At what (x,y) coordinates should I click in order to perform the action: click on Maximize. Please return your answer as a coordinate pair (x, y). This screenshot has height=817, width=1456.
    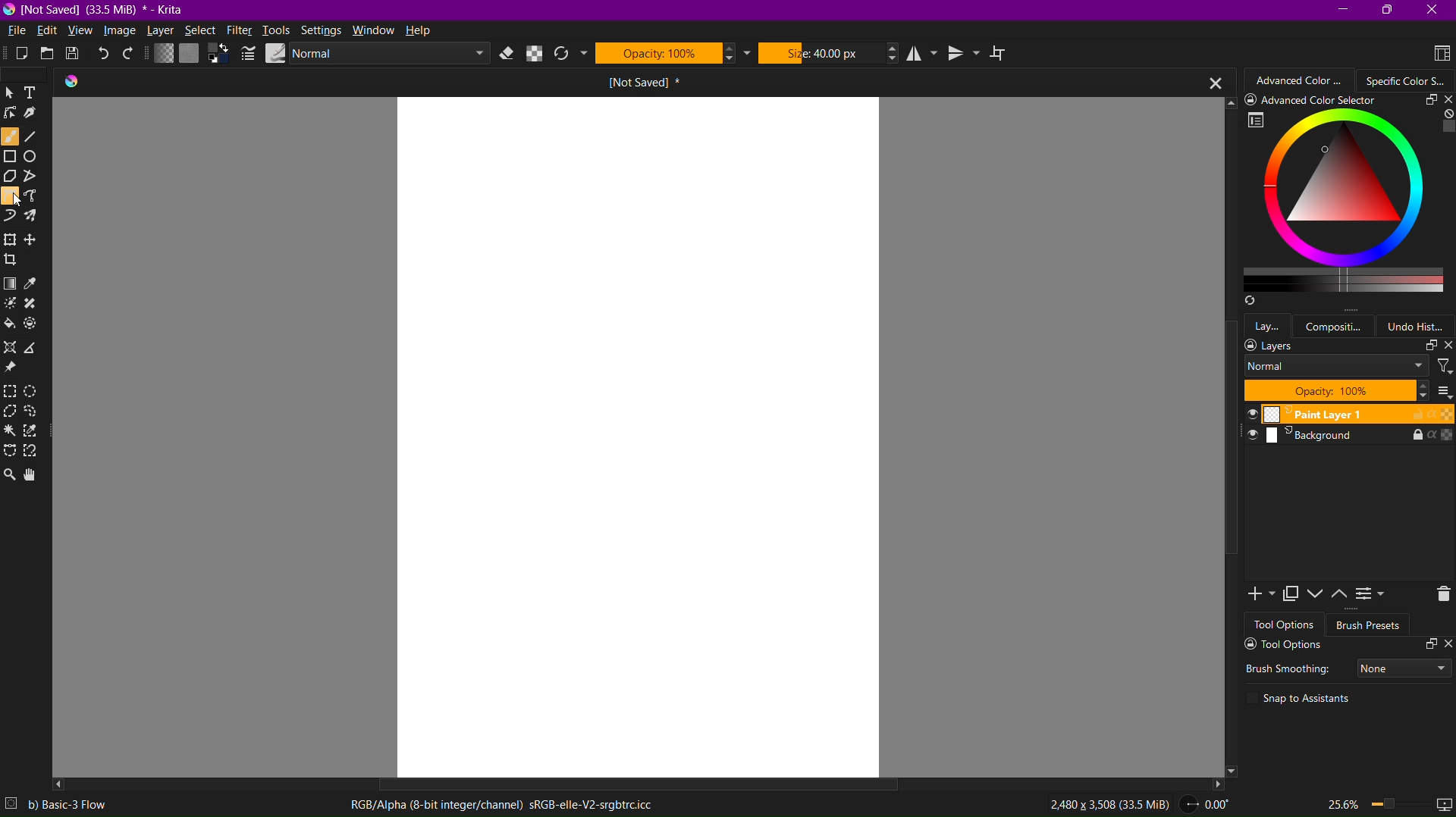
    Looking at the image, I should click on (1389, 11).